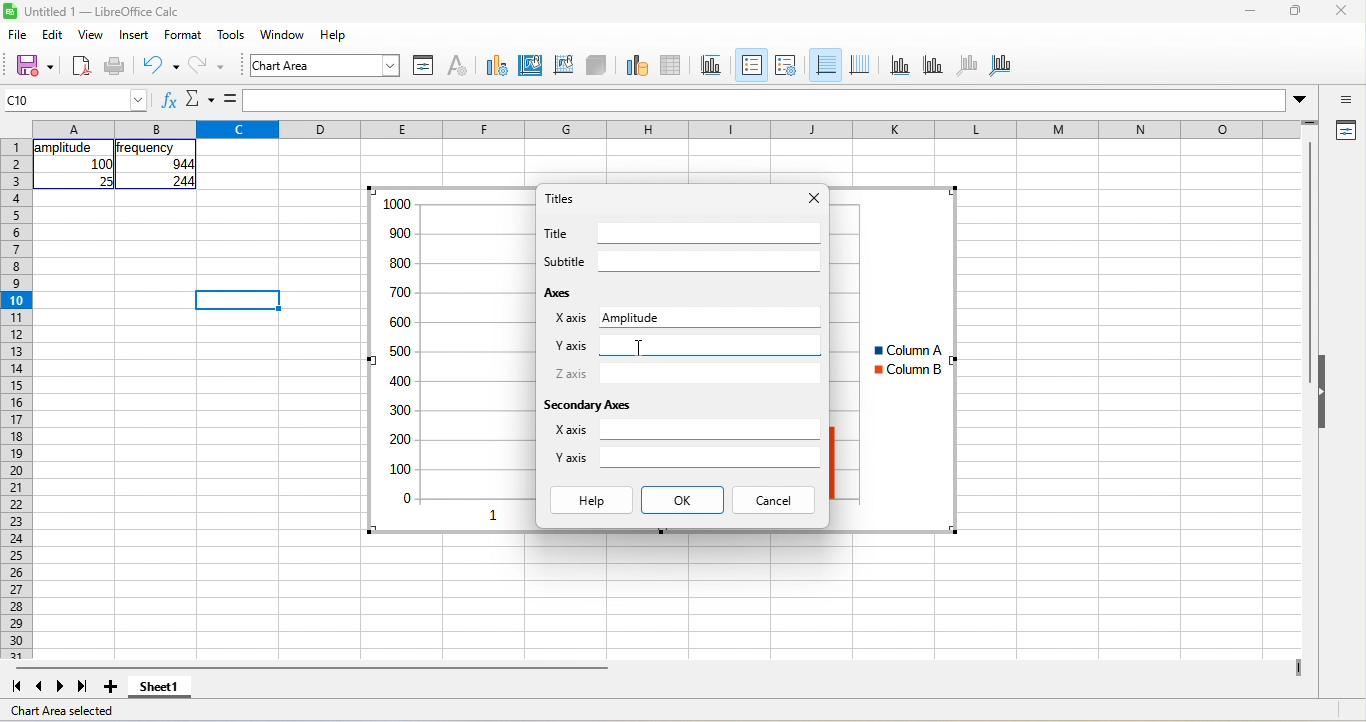 The width and height of the screenshot is (1366, 722). I want to click on secondary axes, so click(586, 405).